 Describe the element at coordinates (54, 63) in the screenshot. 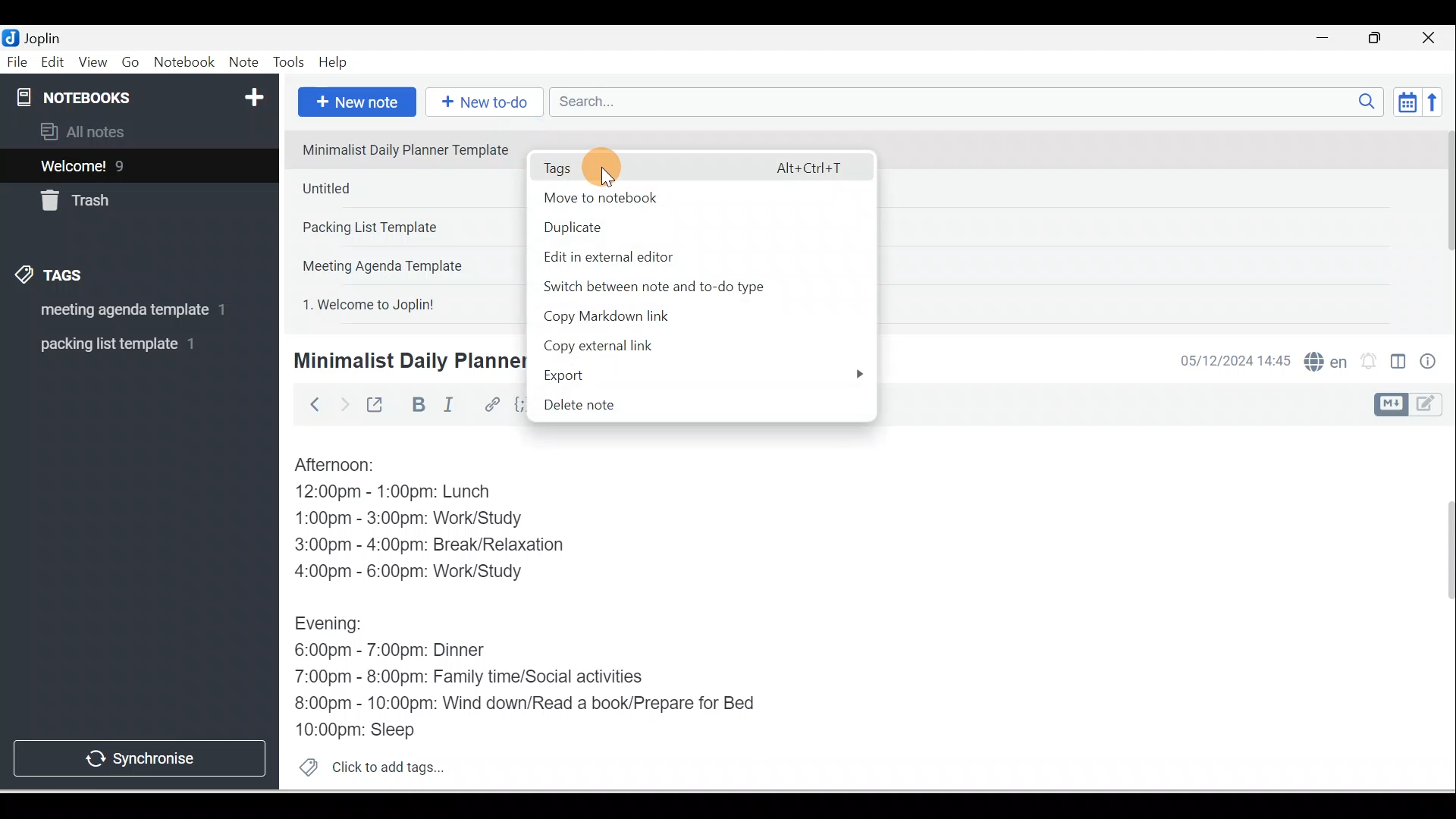

I see `Edit` at that location.